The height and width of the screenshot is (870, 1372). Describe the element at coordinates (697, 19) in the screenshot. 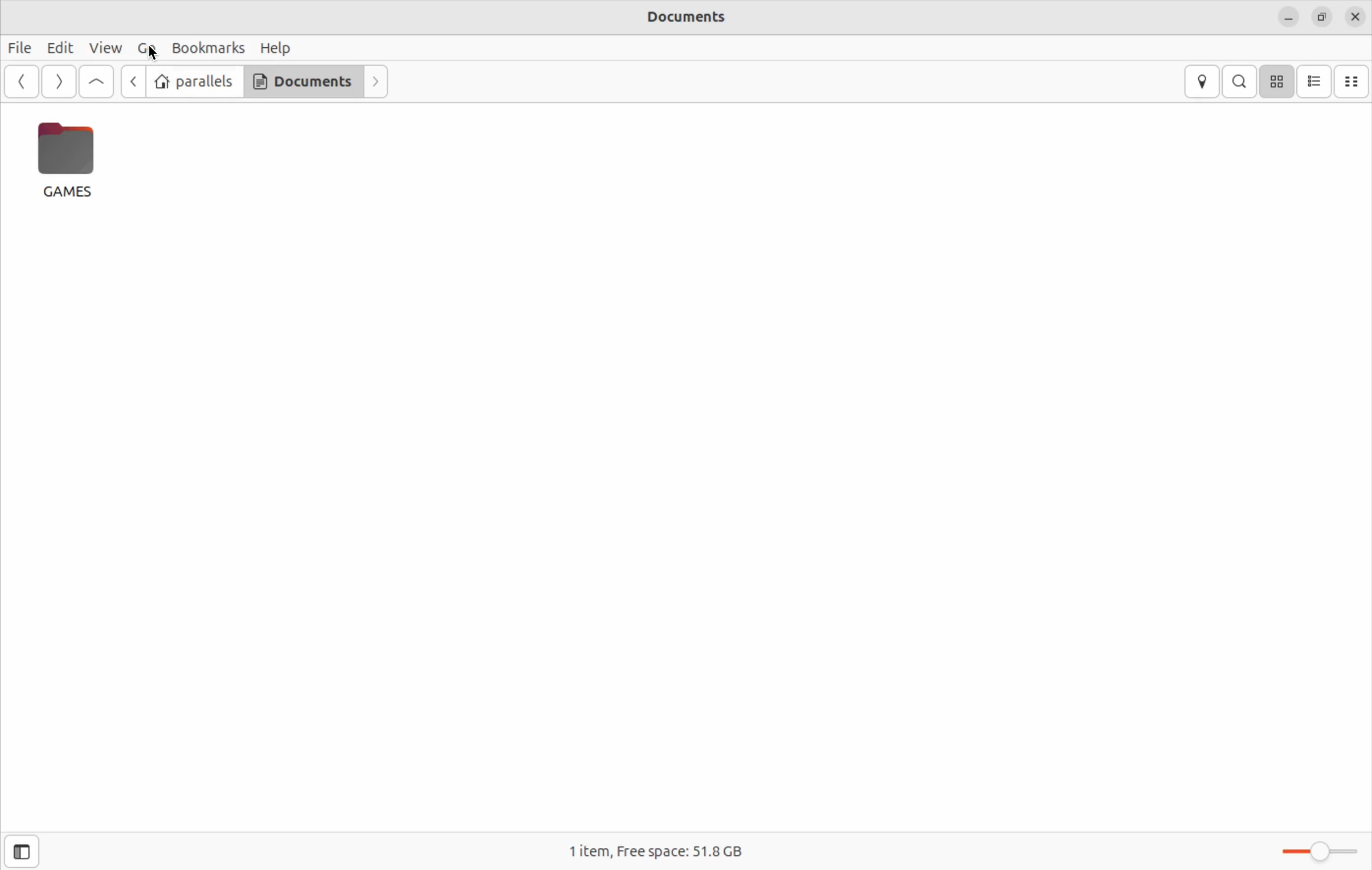

I see `documents` at that location.